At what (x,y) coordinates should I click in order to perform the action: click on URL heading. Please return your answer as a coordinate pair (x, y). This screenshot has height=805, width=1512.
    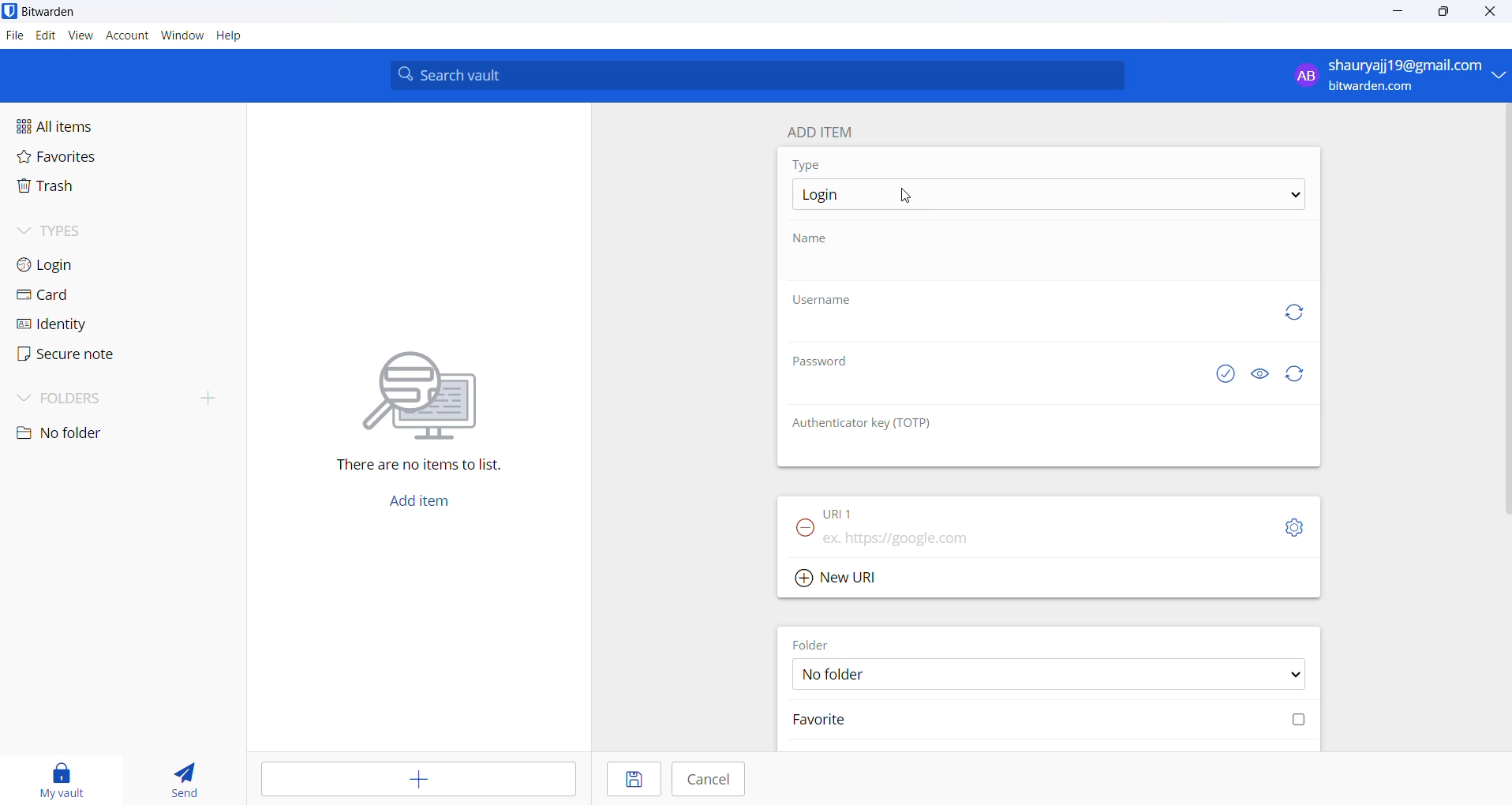
    Looking at the image, I should click on (840, 508).